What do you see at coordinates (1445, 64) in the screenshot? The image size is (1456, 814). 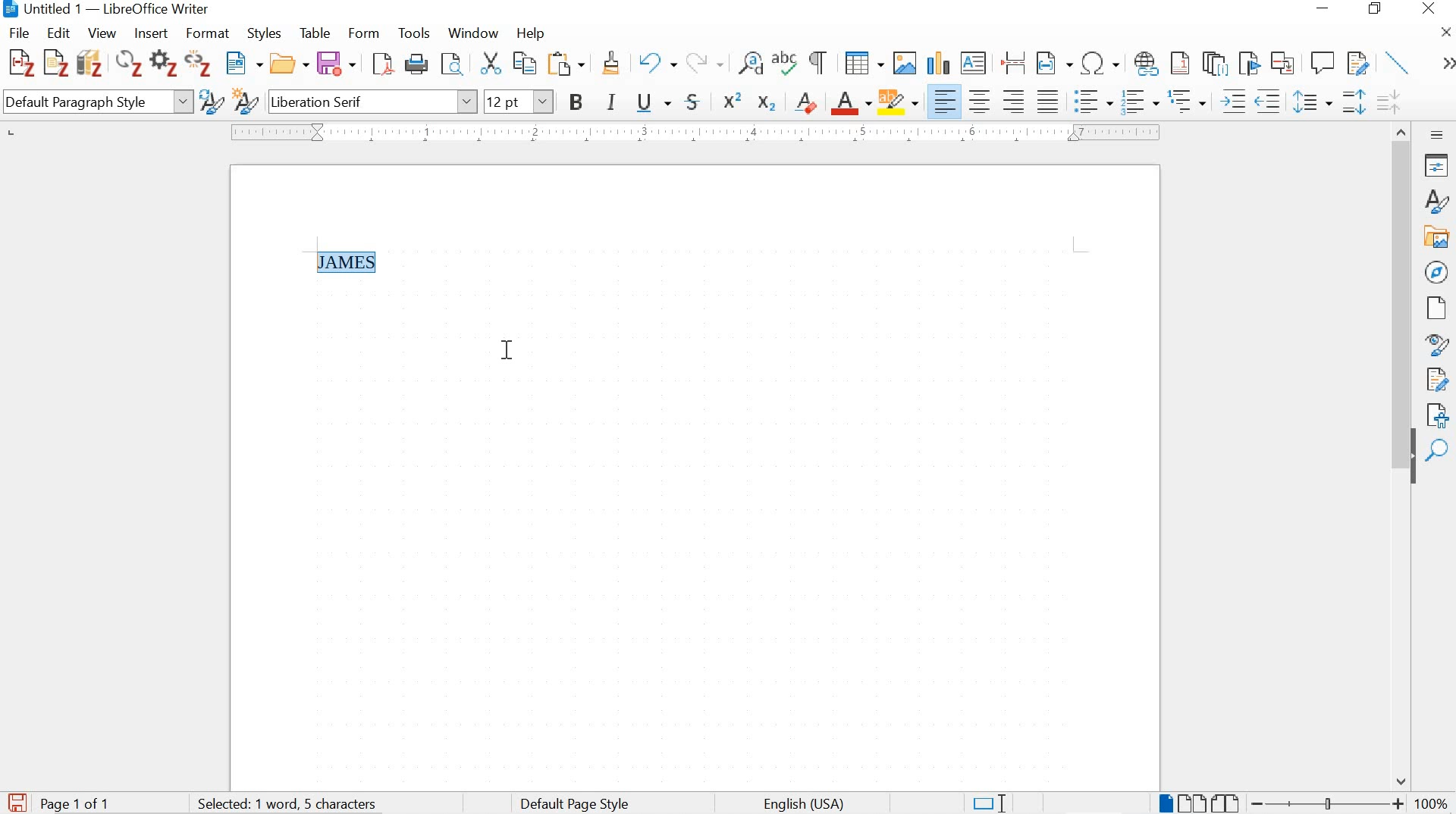 I see `expand` at bounding box center [1445, 64].